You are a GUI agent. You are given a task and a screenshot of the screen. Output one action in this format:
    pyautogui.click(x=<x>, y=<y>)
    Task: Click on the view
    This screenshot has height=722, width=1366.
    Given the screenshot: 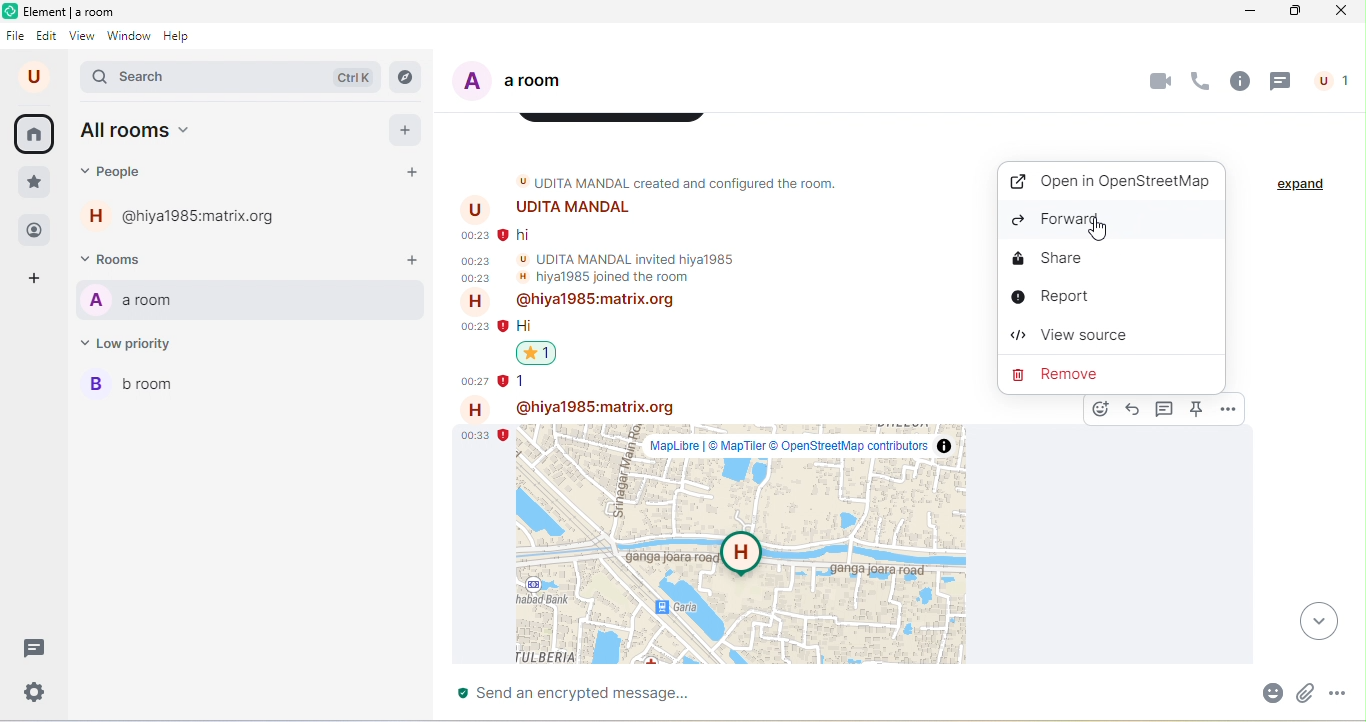 What is the action you would take?
    pyautogui.click(x=81, y=36)
    